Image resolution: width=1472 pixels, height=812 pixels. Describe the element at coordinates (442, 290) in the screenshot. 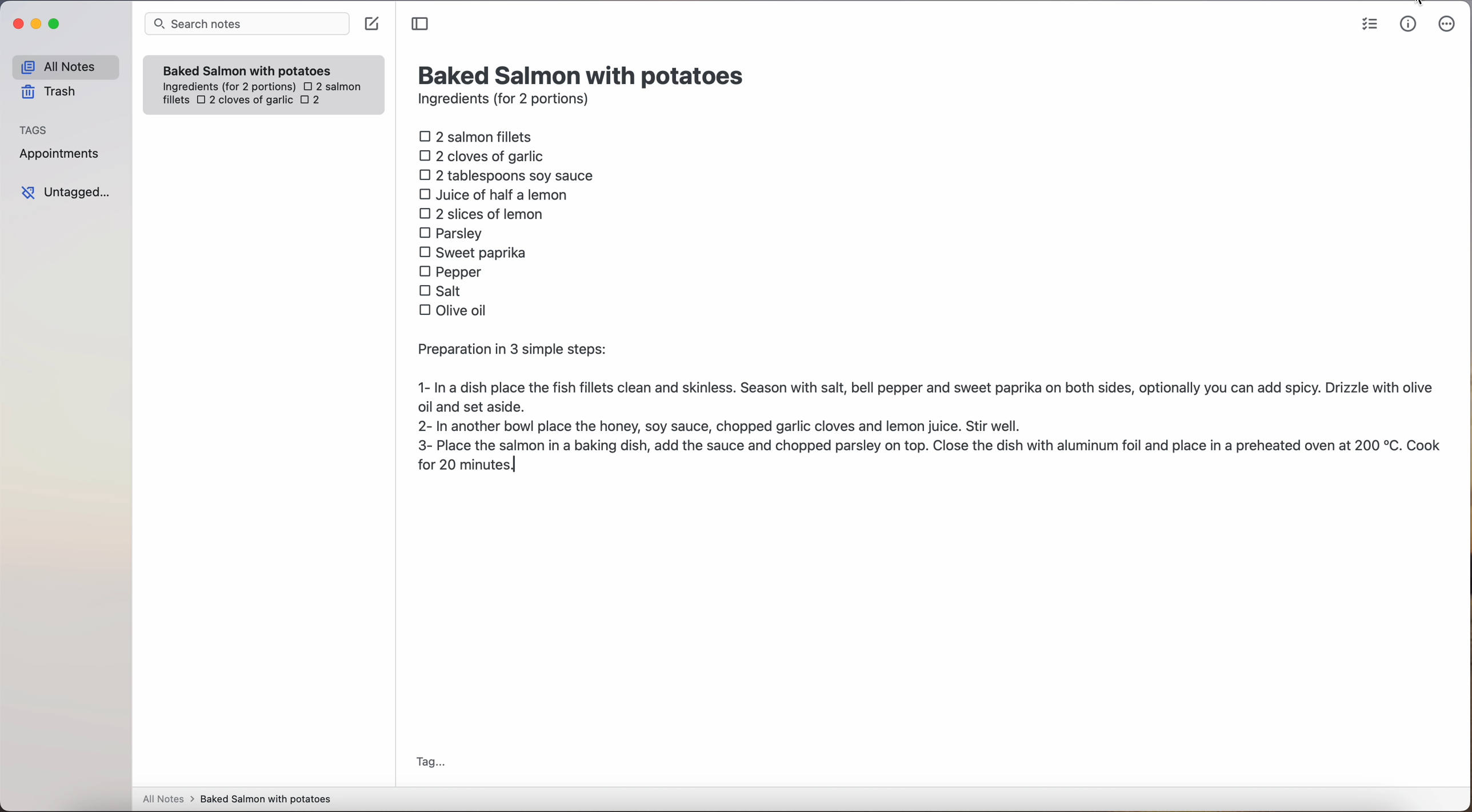

I see `salt` at that location.